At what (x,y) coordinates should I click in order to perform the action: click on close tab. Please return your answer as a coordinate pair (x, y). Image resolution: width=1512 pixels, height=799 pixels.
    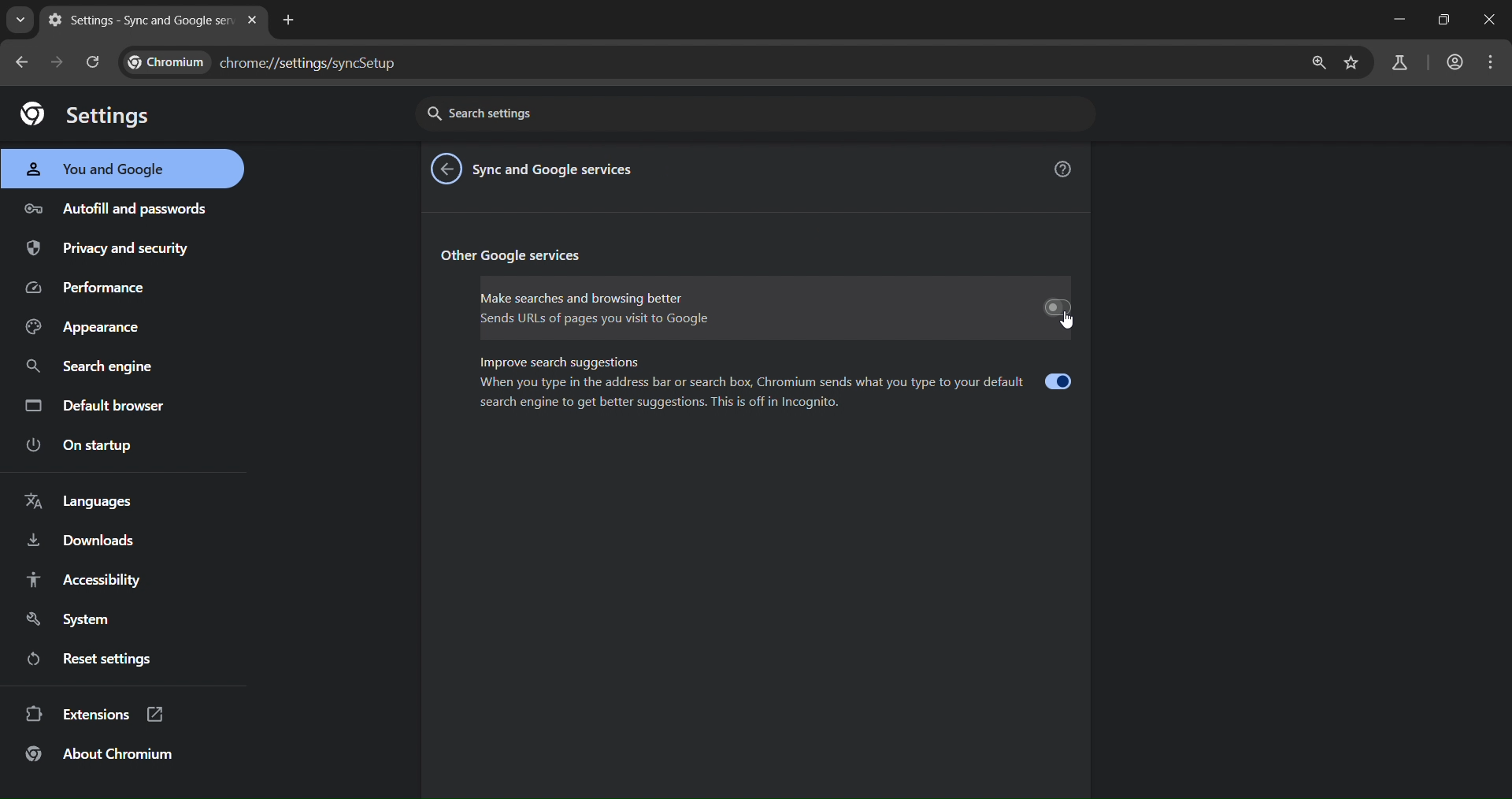
    Looking at the image, I should click on (251, 20).